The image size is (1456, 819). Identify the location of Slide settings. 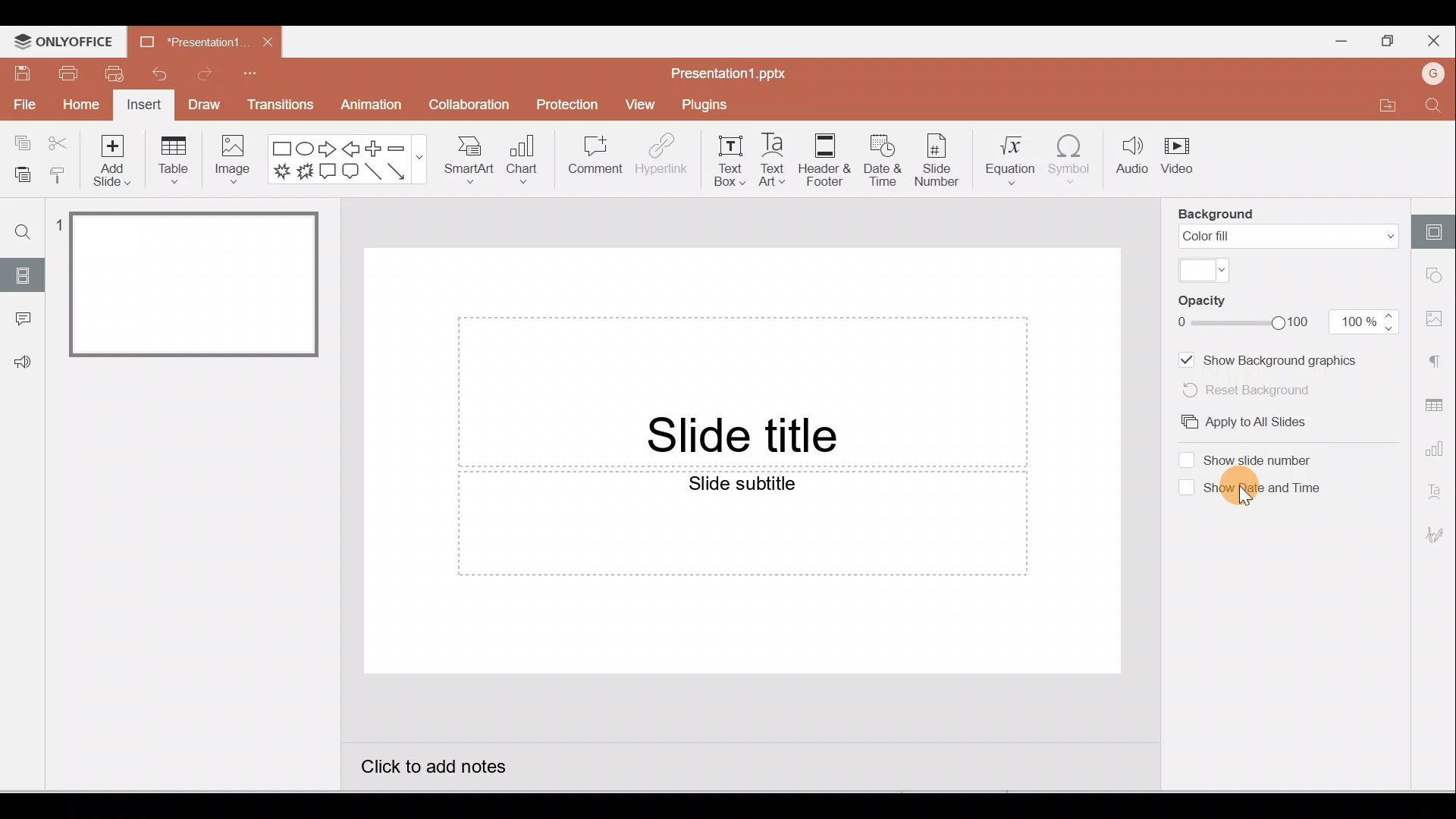
(1437, 227).